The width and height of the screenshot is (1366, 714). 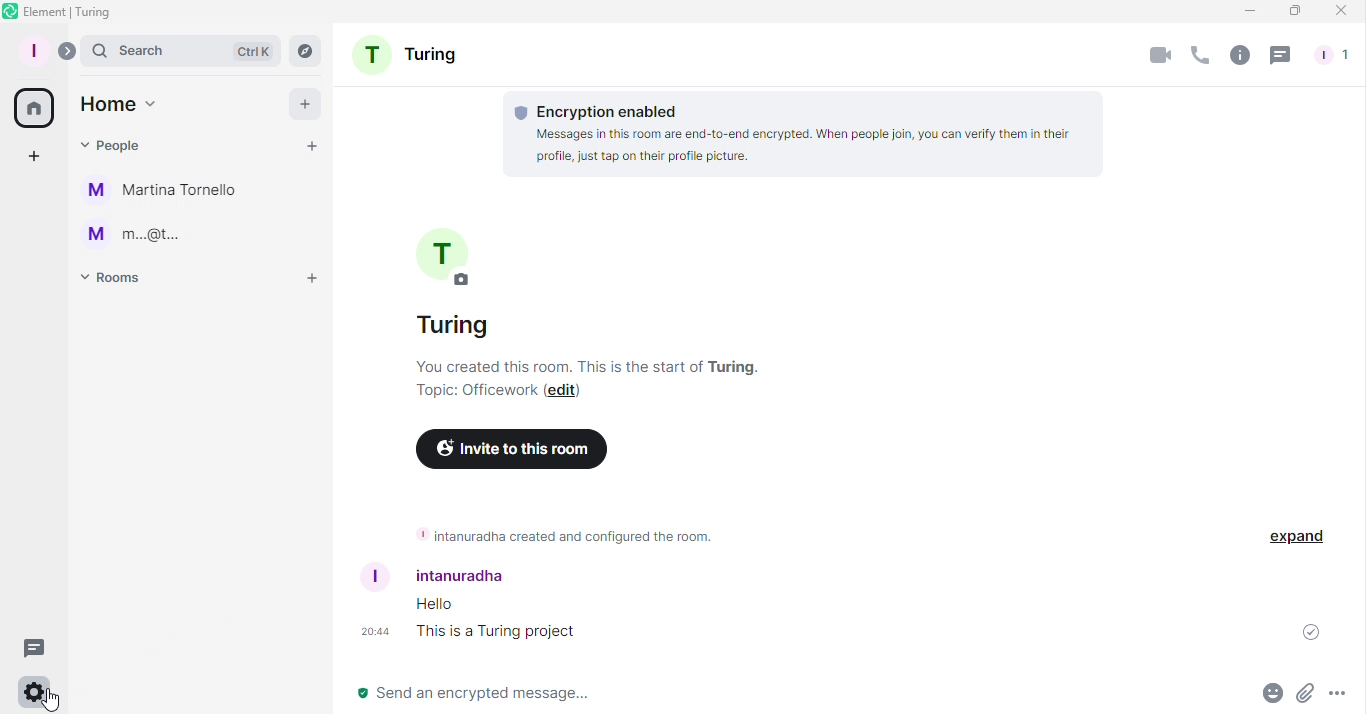 What do you see at coordinates (568, 391) in the screenshot?
I see `Edit` at bounding box center [568, 391].